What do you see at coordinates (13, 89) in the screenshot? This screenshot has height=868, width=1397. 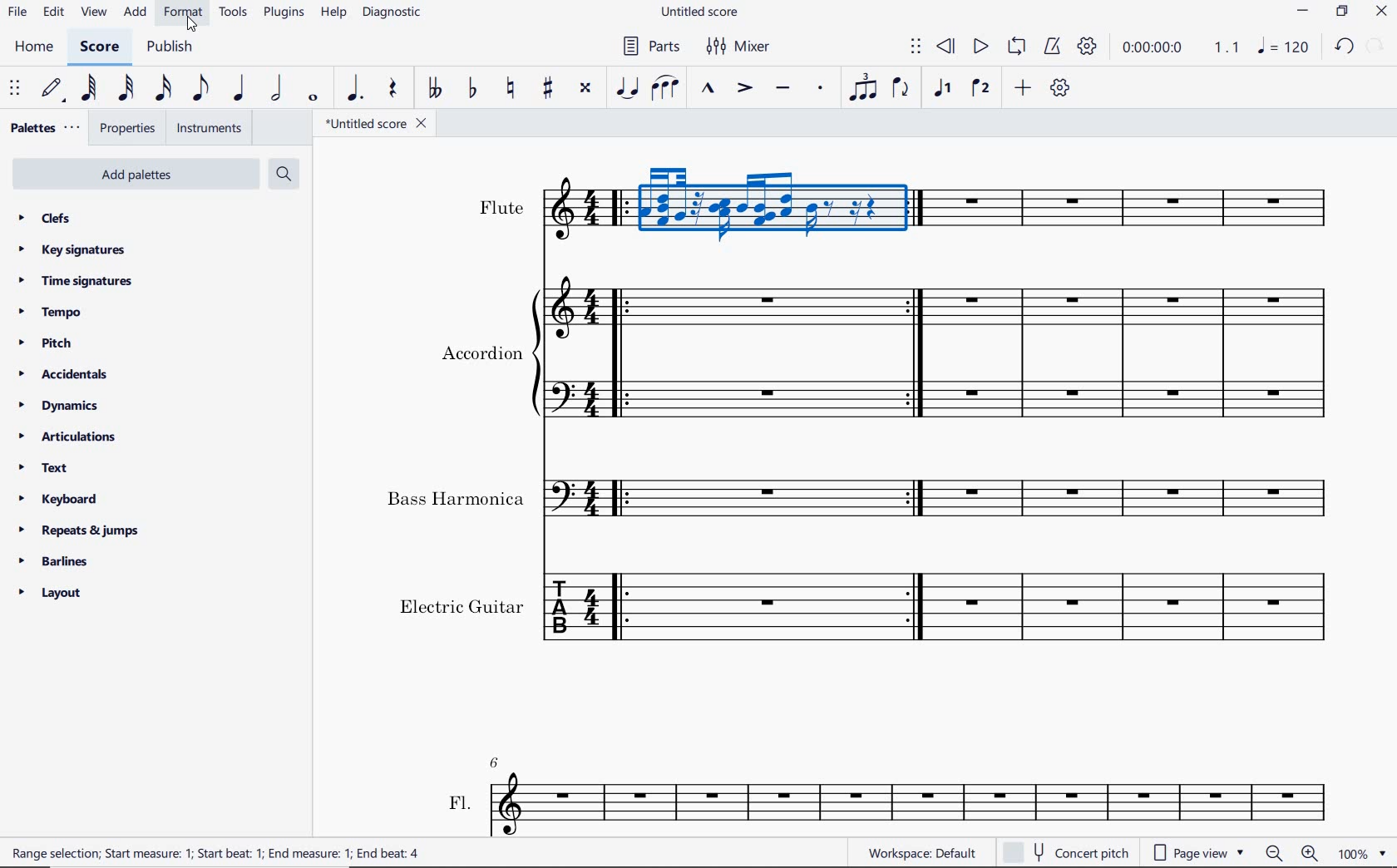 I see `select to move` at bounding box center [13, 89].